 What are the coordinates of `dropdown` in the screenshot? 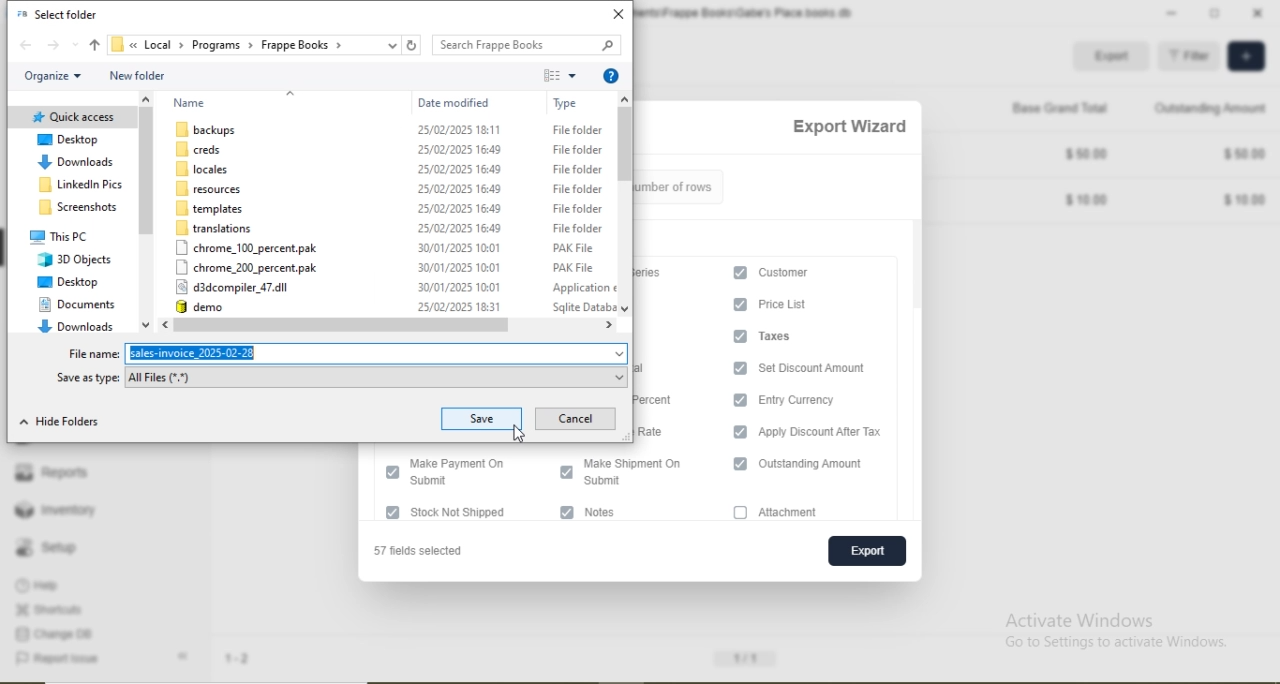 It's located at (76, 45).